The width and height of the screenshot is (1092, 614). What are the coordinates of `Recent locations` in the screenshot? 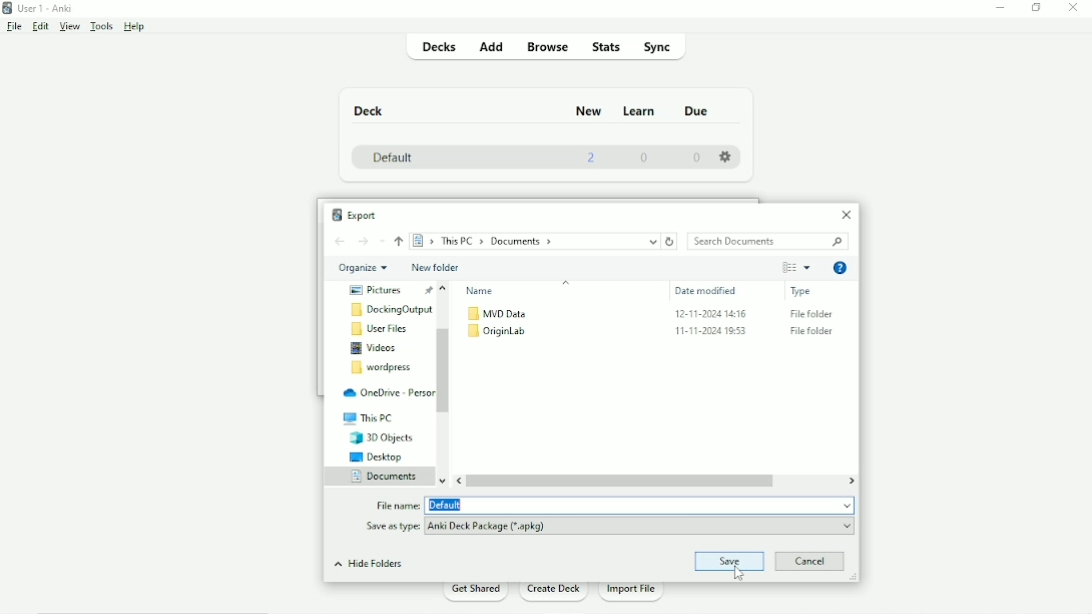 It's located at (383, 242).